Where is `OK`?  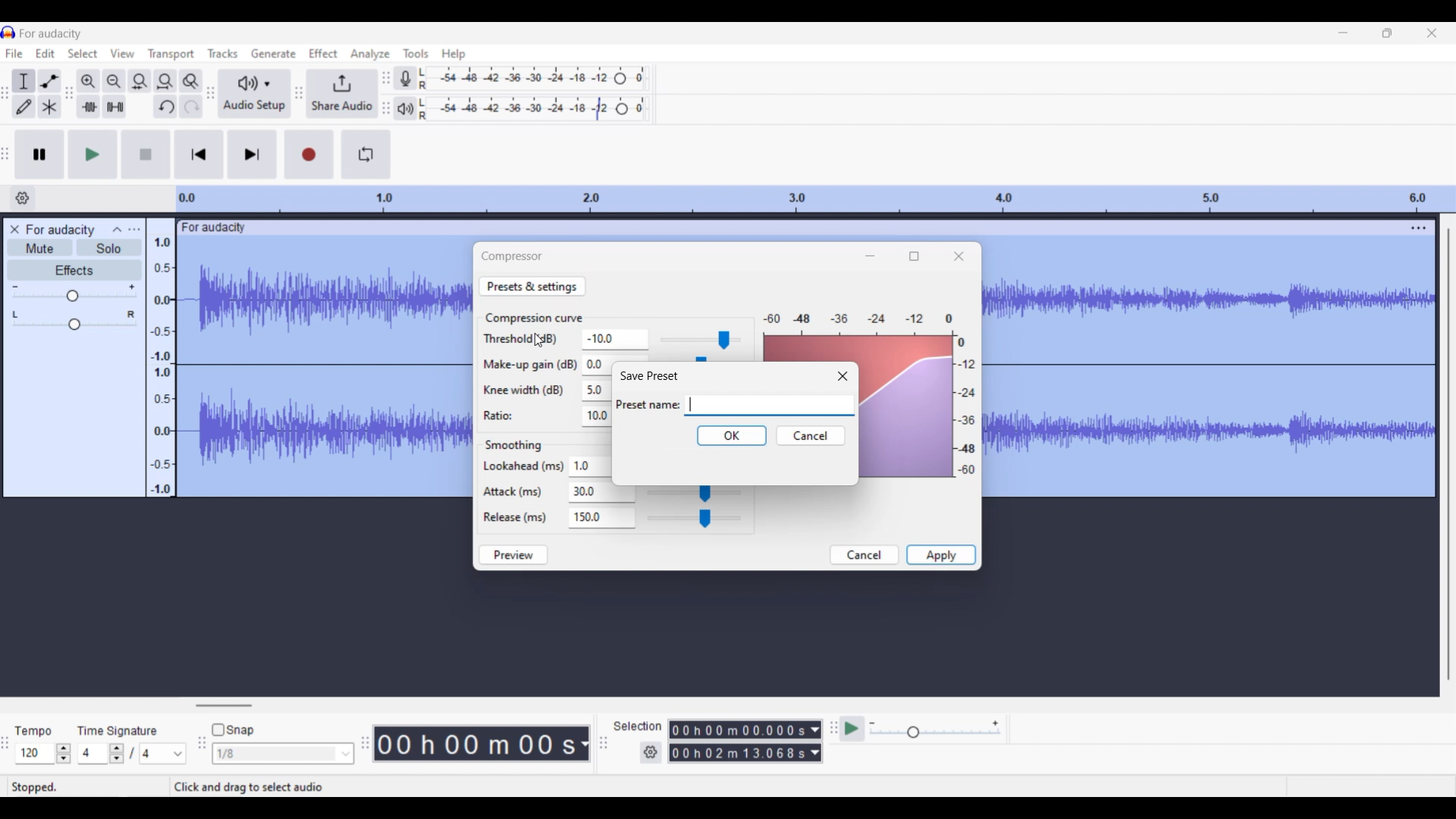 OK is located at coordinates (732, 435).